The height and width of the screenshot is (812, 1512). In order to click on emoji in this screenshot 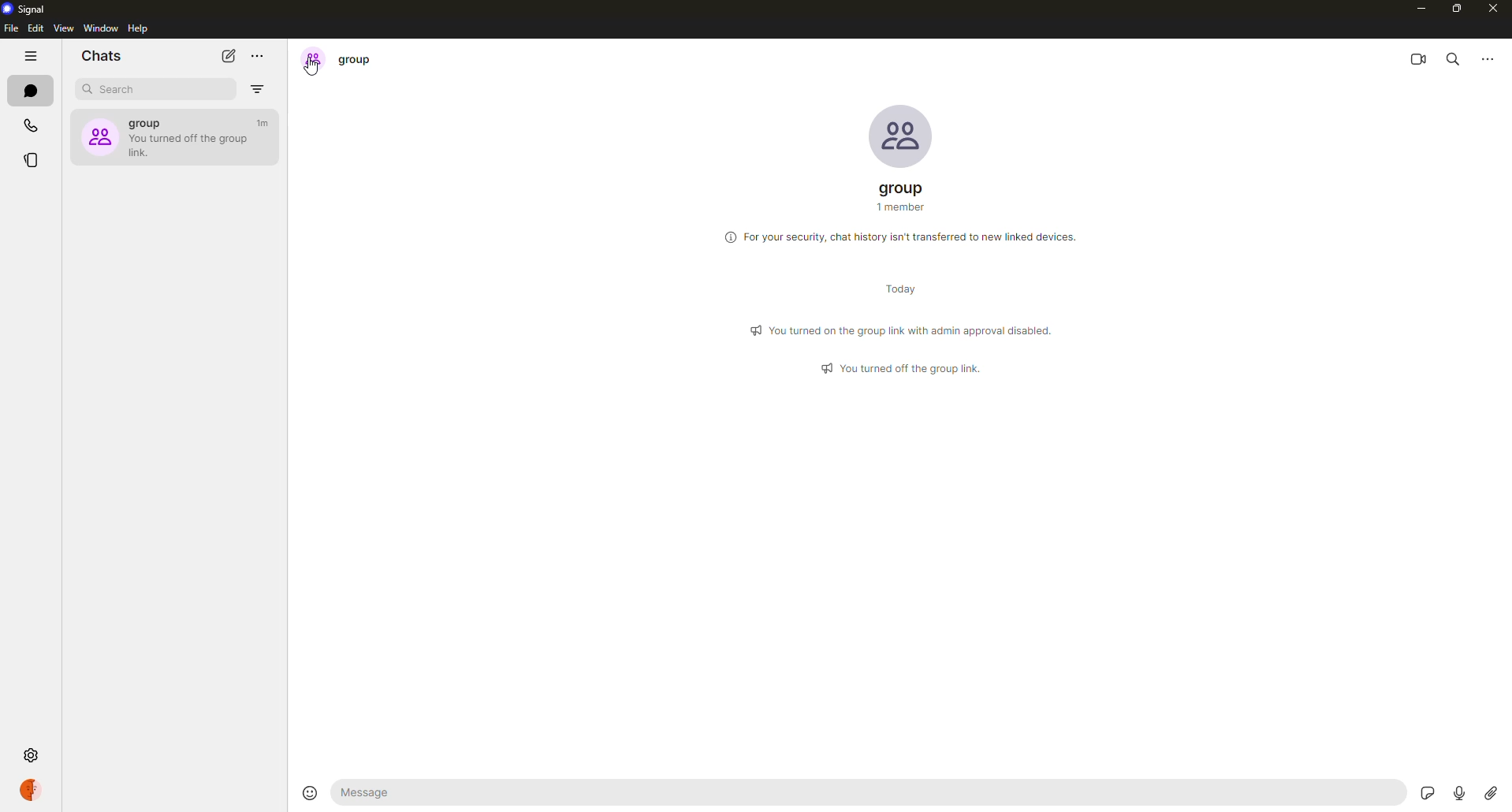, I will do `click(306, 792)`.